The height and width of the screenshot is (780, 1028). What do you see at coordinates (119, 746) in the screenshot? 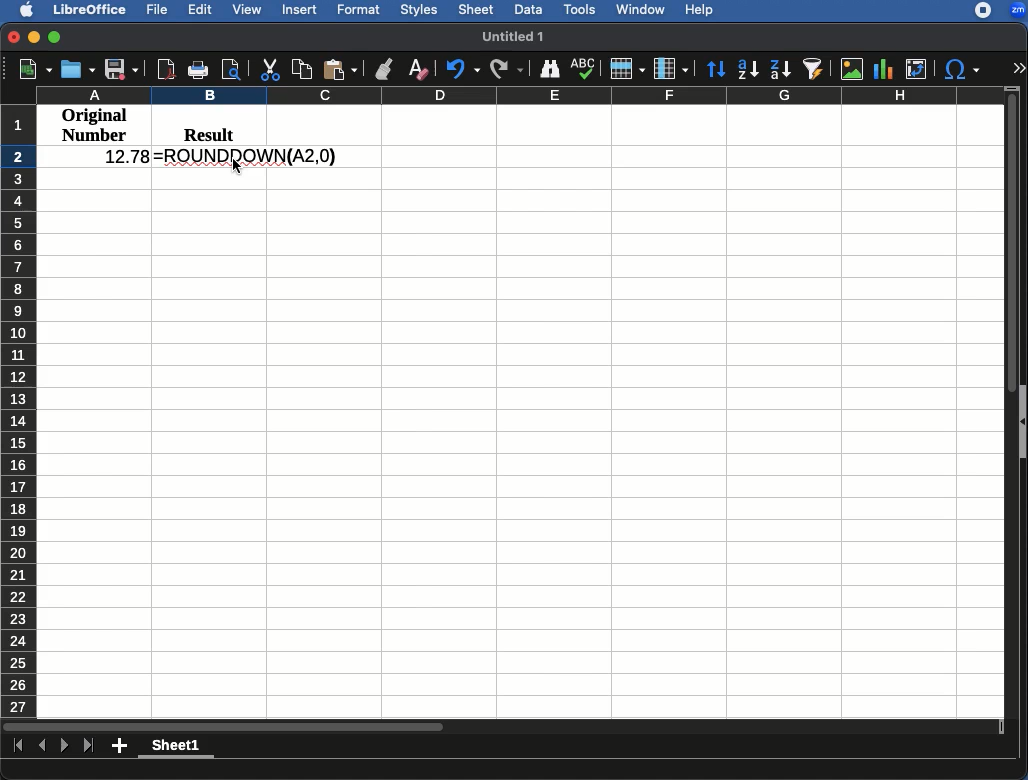
I see `Add sheet` at bounding box center [119, 746].